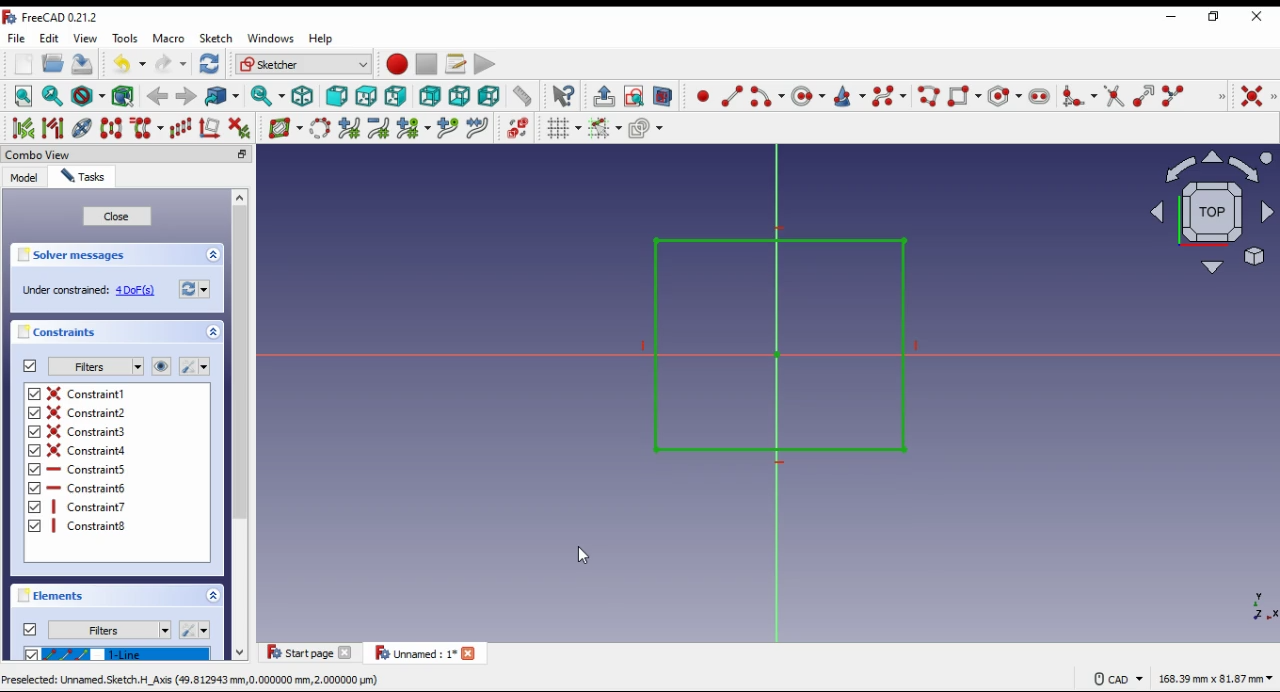  I want to click on create regular polygon, so click(1003, 96).